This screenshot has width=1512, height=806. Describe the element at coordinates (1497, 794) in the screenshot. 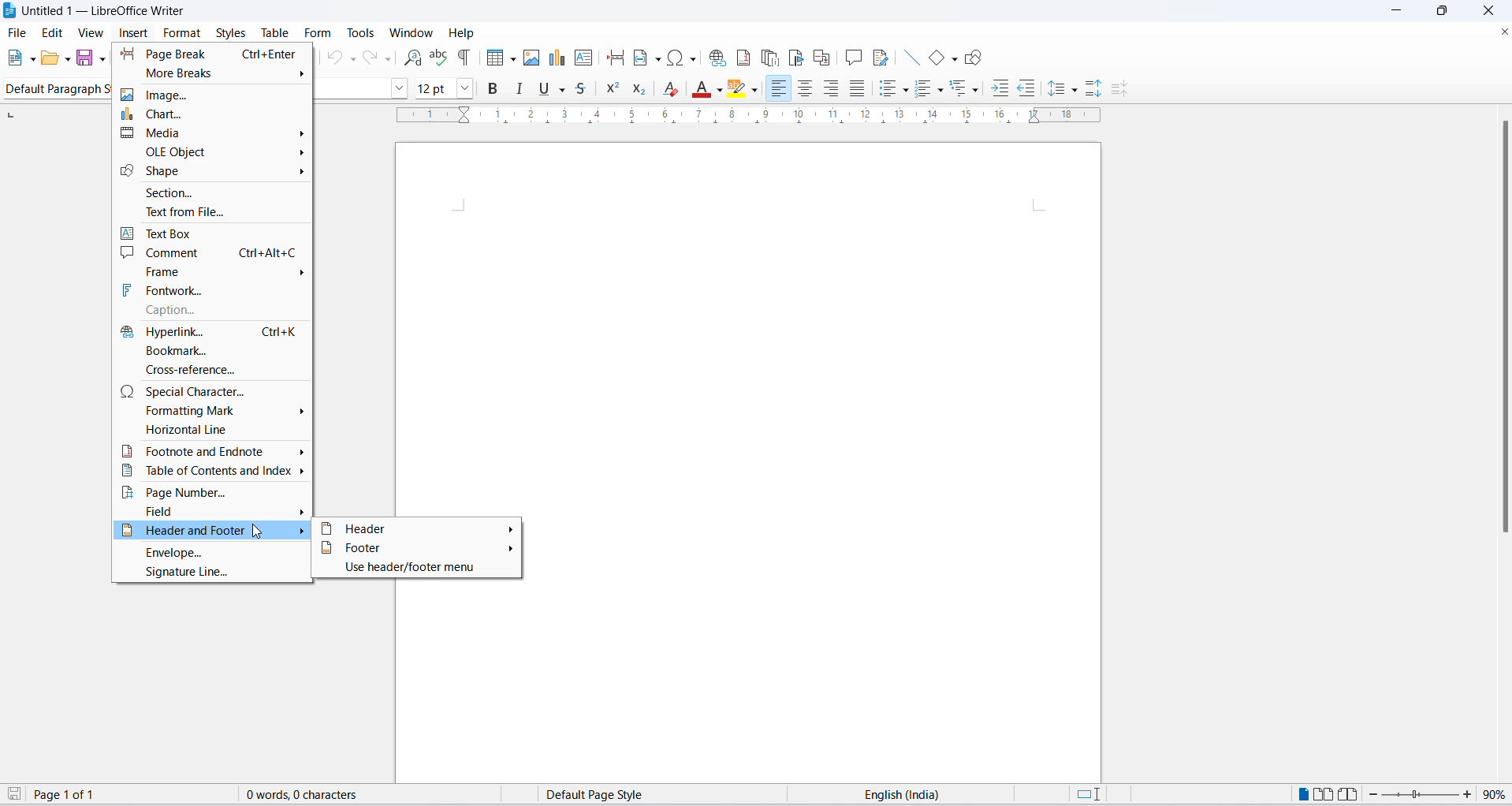

I see `zoom percentage` at that location.